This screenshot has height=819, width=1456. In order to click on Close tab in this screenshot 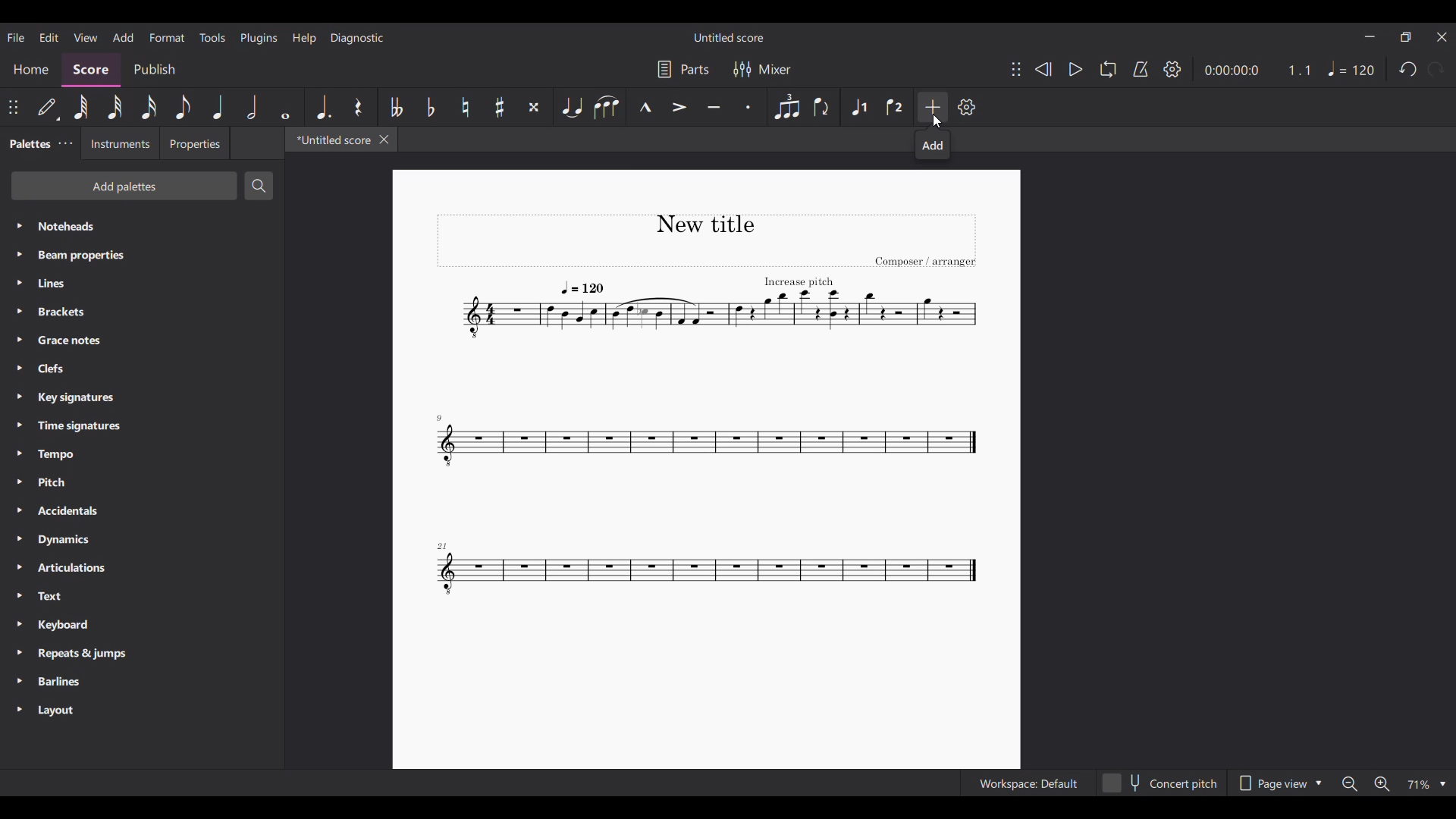, I will do `click(384, 140)`.